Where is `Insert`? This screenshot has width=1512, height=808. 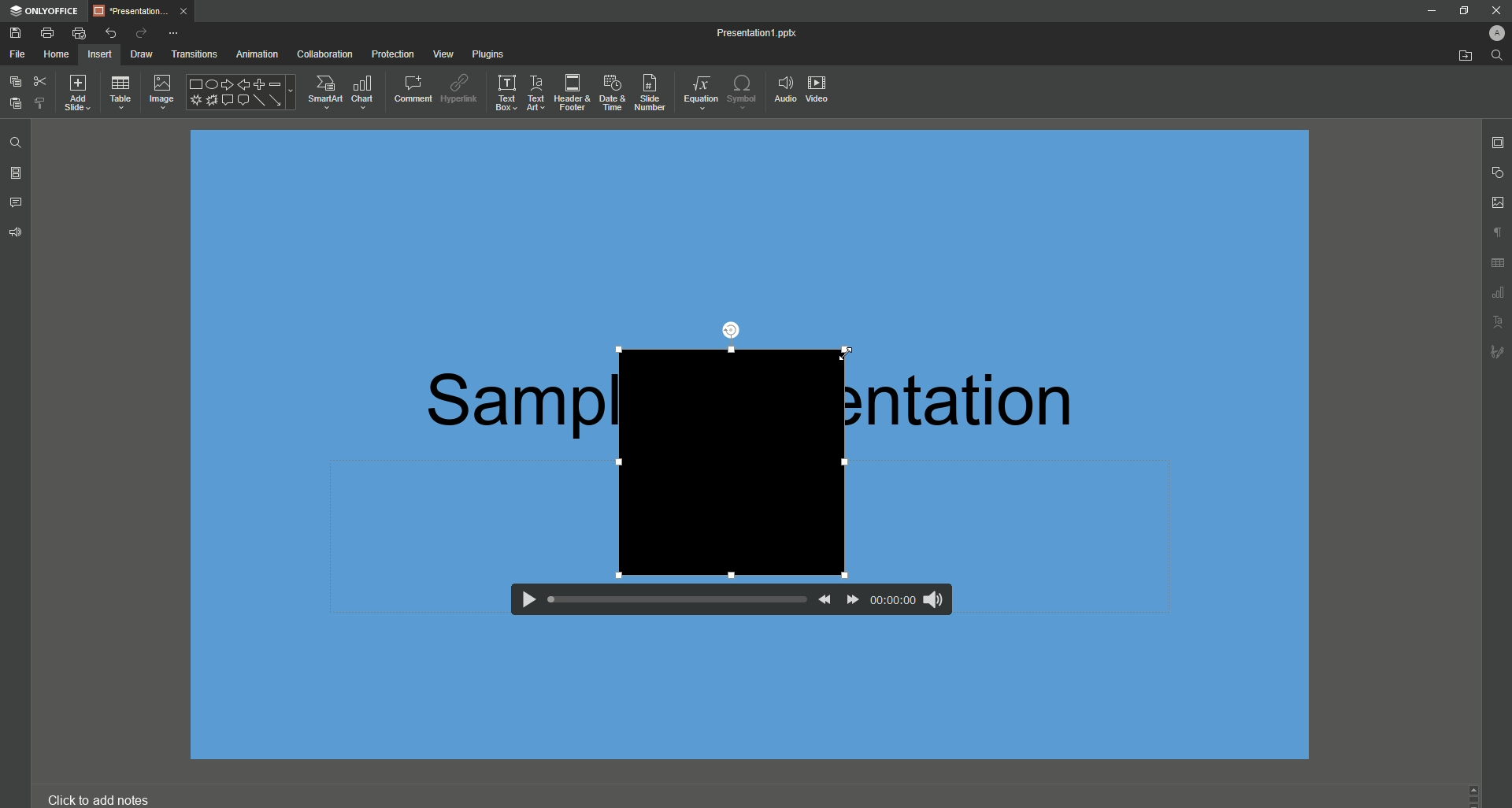
Insert is located at coordinates (98, 54).